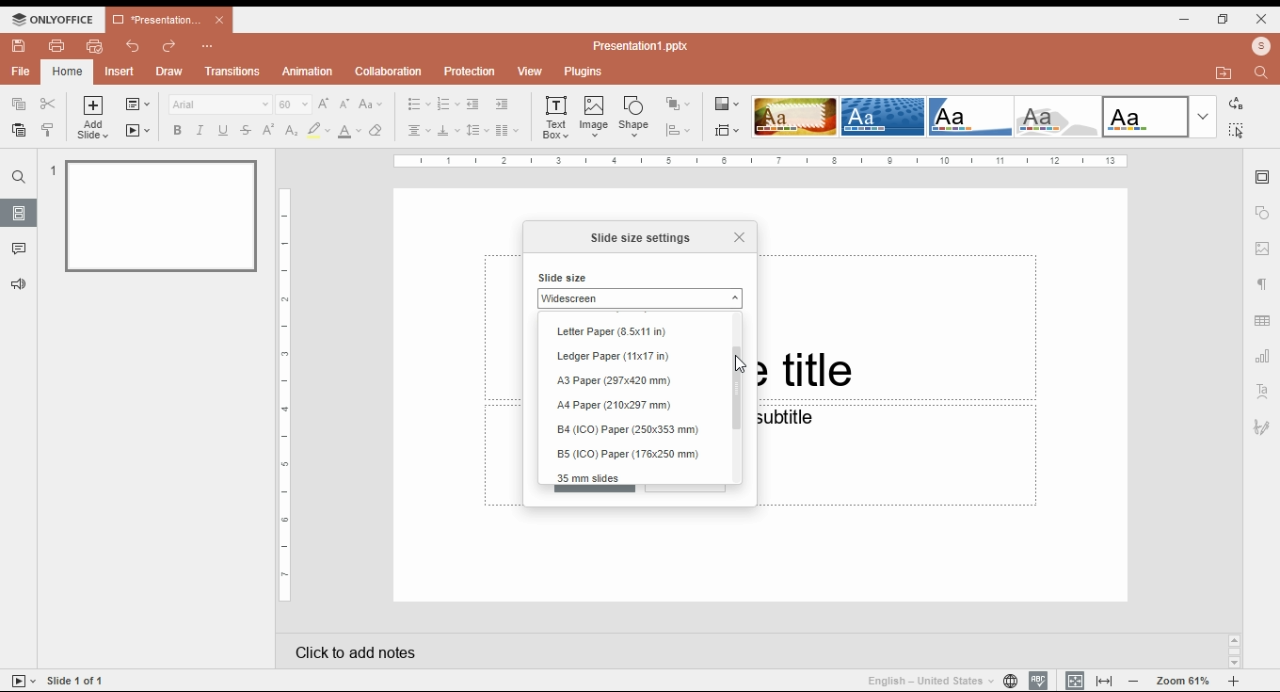 The width and height of the screenshot is (1280, 692). What do you see at coordinates (120, 72) in the screenshot?
I see `insert` at bounding box center [120, 72].